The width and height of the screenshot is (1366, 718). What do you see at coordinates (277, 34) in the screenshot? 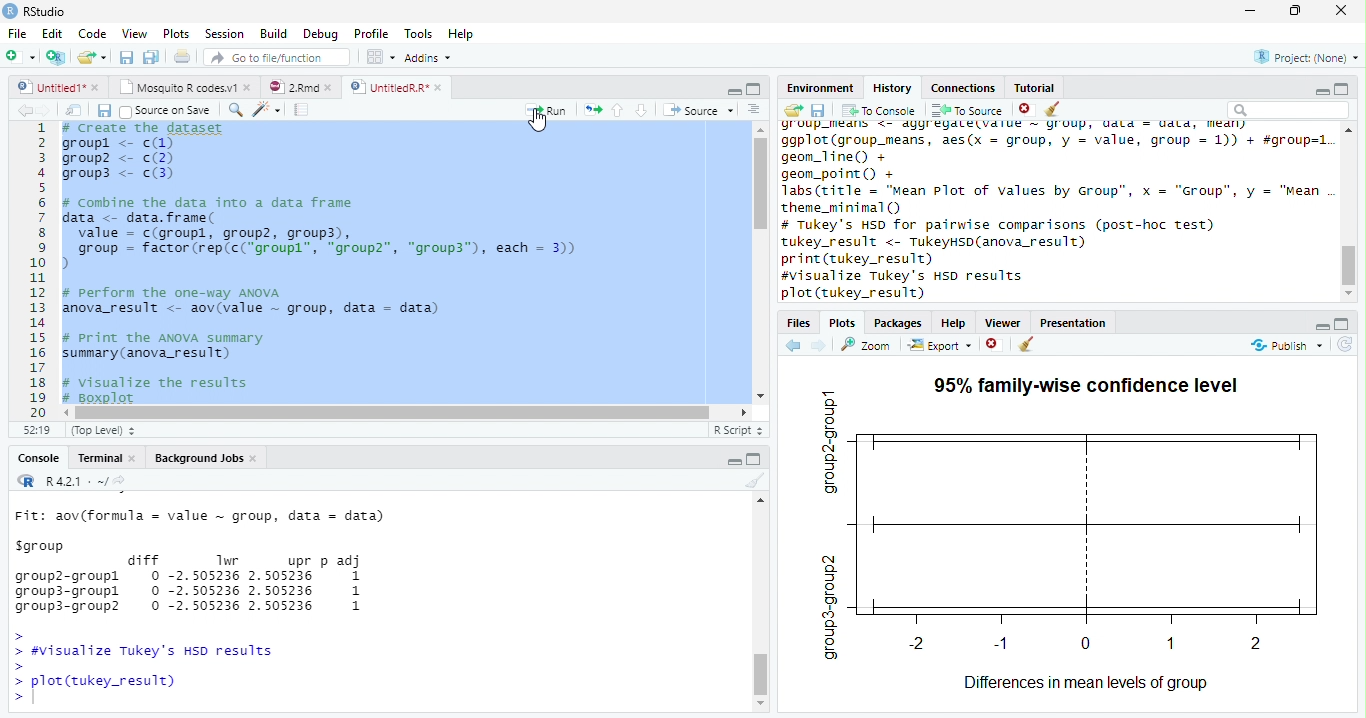
I see `Build` at bounding box center [277, 34].